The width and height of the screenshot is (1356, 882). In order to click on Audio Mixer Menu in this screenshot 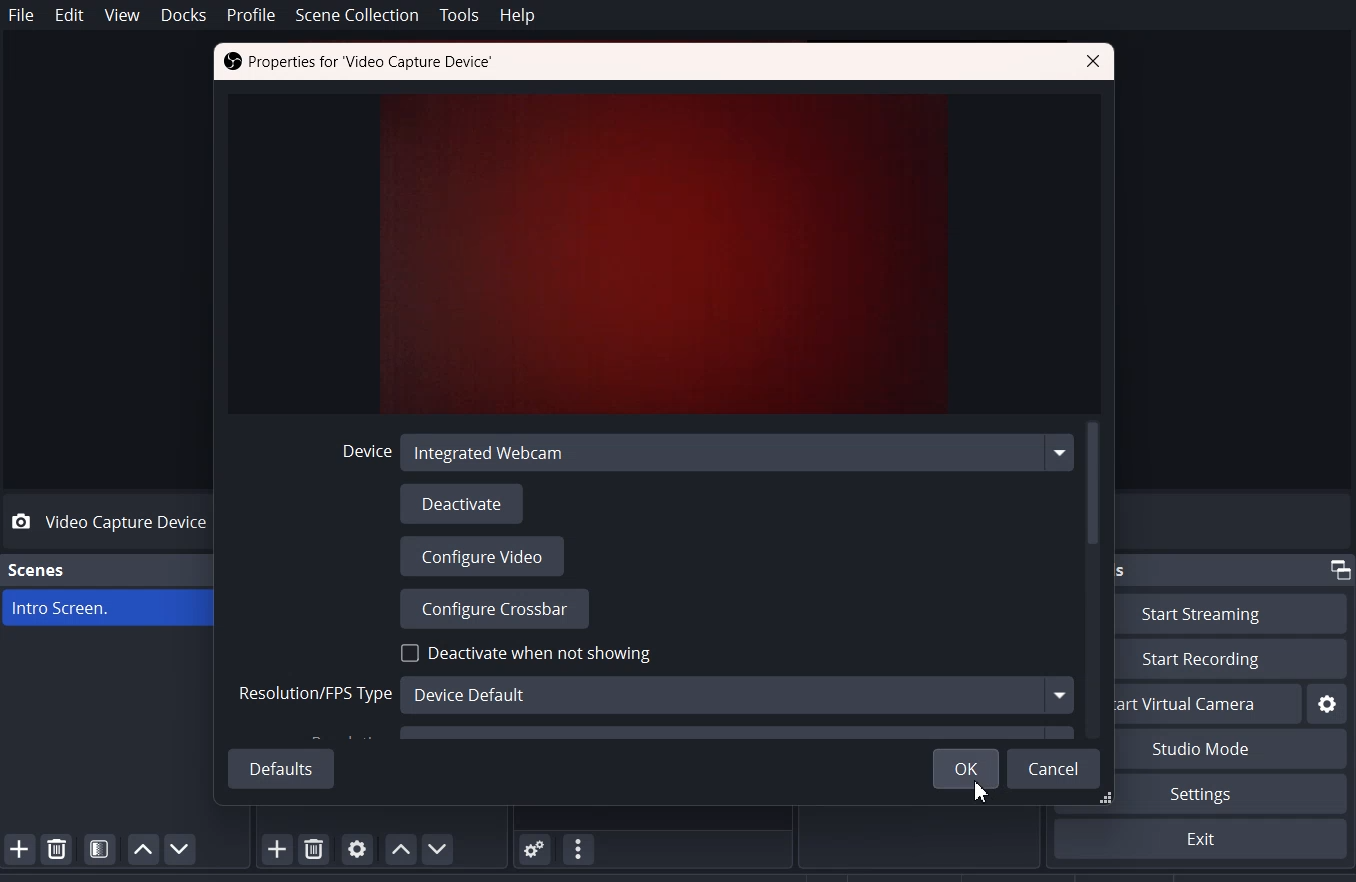, I will do `click(580, 848)`.